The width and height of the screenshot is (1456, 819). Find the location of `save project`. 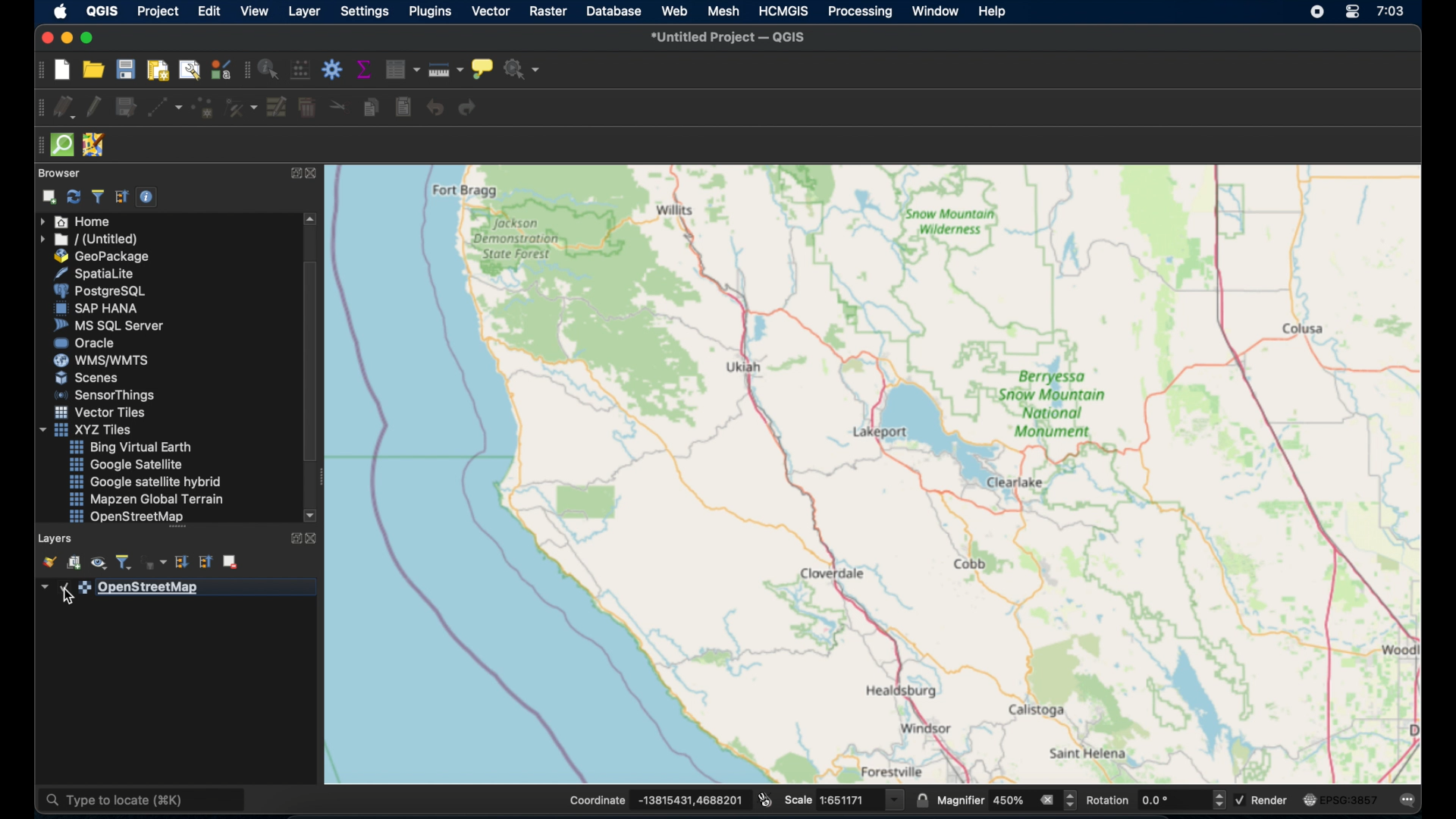

save project is located at coordinates (127, 70).